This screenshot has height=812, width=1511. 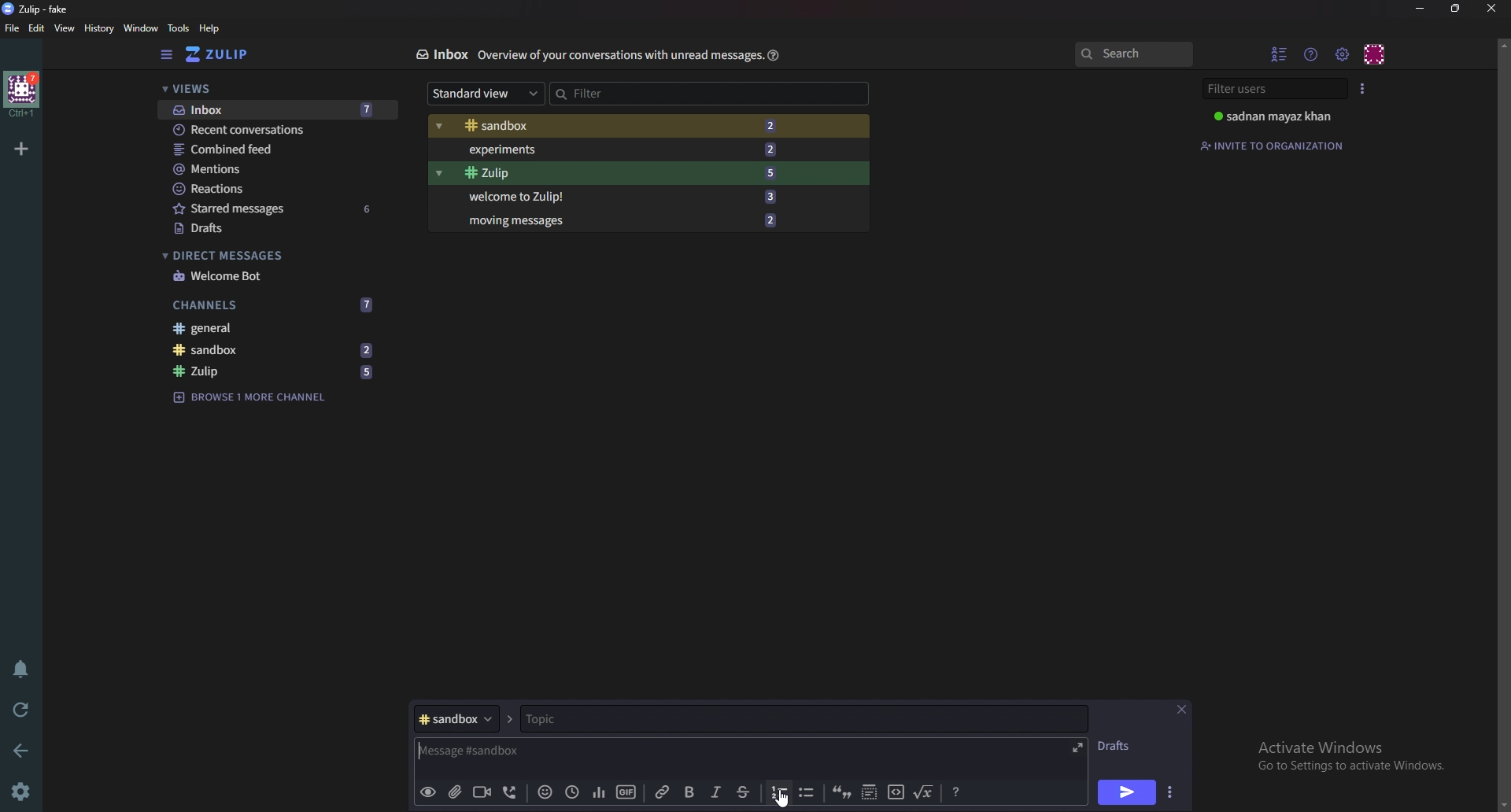 What do you see at coordinates (228, 54) in the screenshot?
I see `Home view` at bounding box center [228, 54].